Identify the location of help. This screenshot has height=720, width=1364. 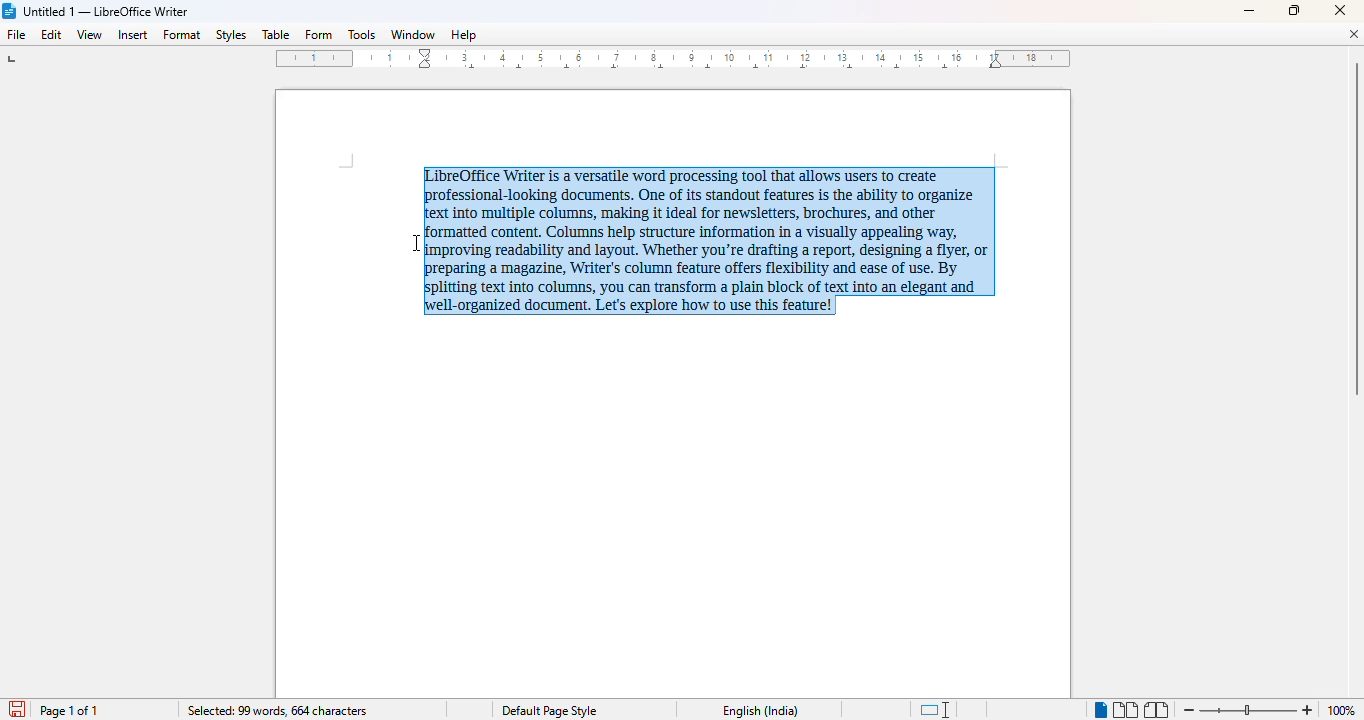
(464, 34).